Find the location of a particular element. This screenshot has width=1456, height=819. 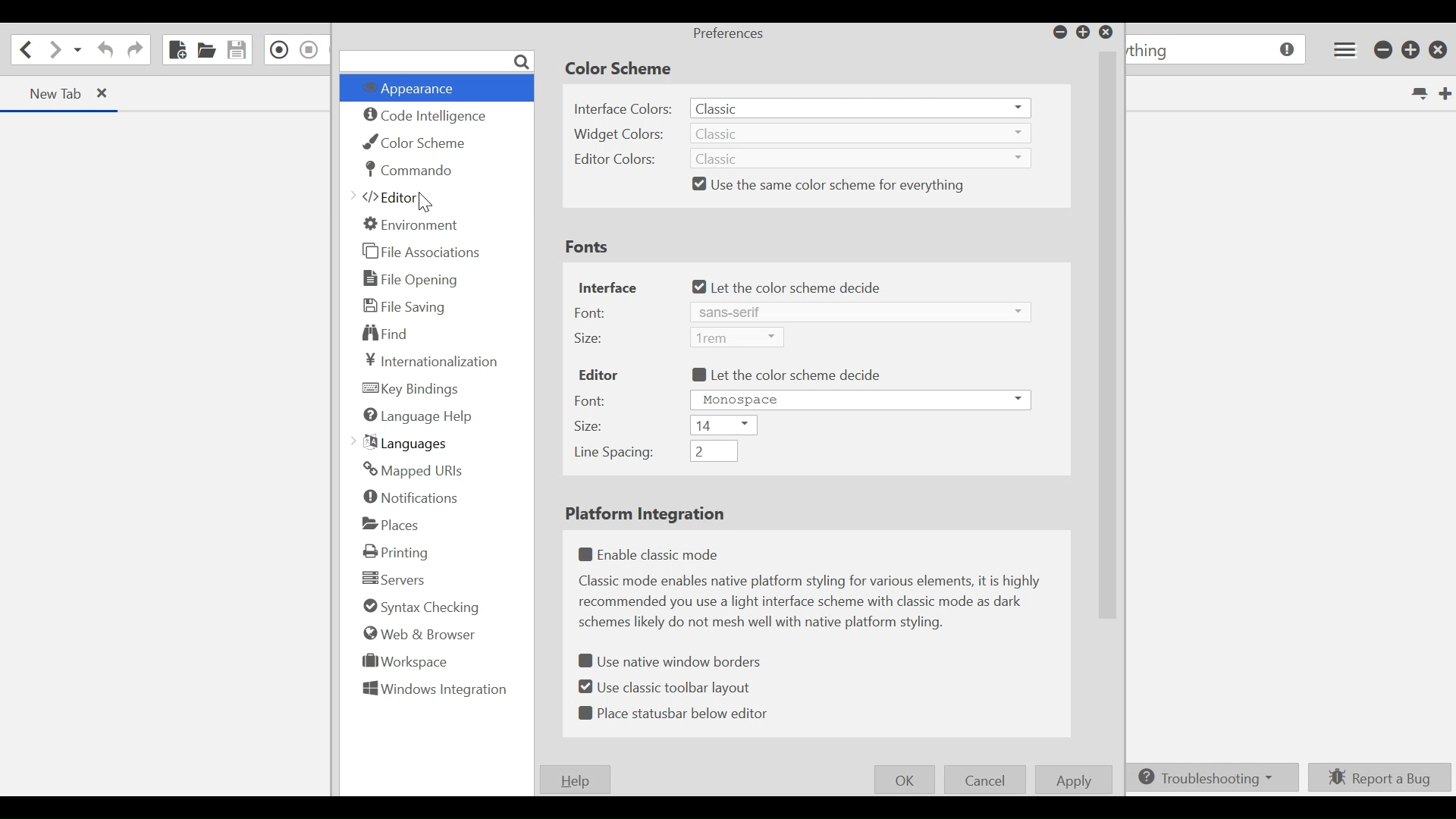

Windows Integration is located at coordinates (433, 691).